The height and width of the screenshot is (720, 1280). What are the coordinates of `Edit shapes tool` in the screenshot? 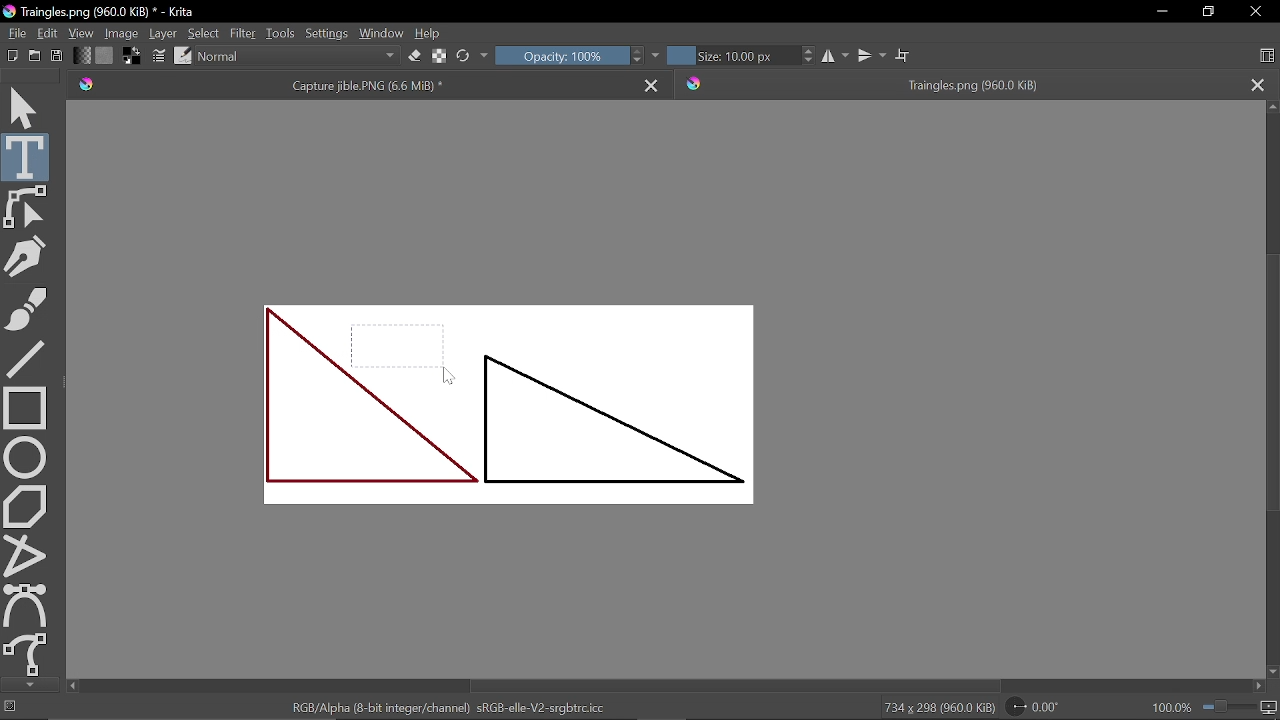 It's located at (26, 207).